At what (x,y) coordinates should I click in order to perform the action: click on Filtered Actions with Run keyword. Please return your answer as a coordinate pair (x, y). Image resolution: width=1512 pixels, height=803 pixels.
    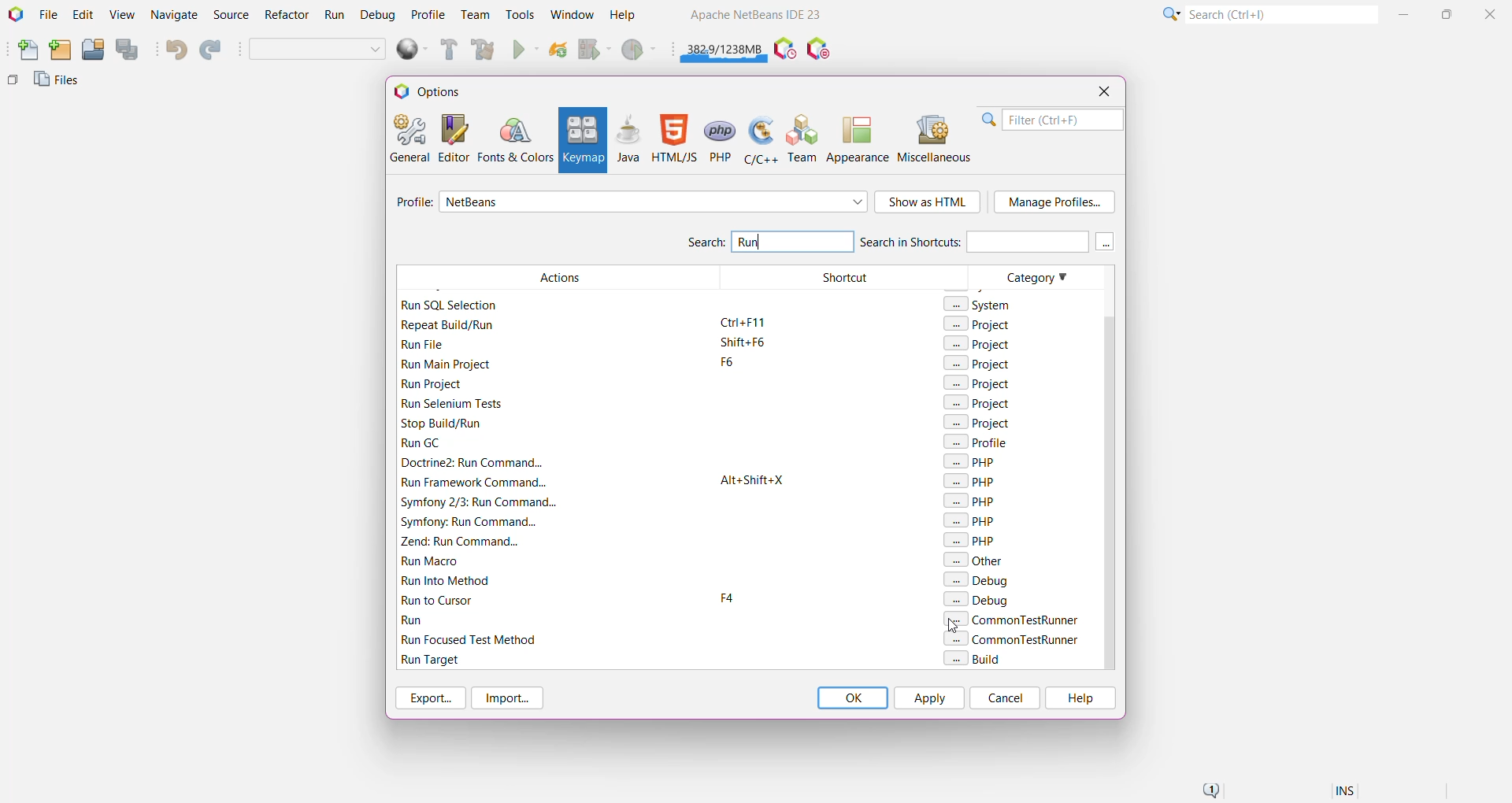
    Looking at the image, I should click on (557, 468).